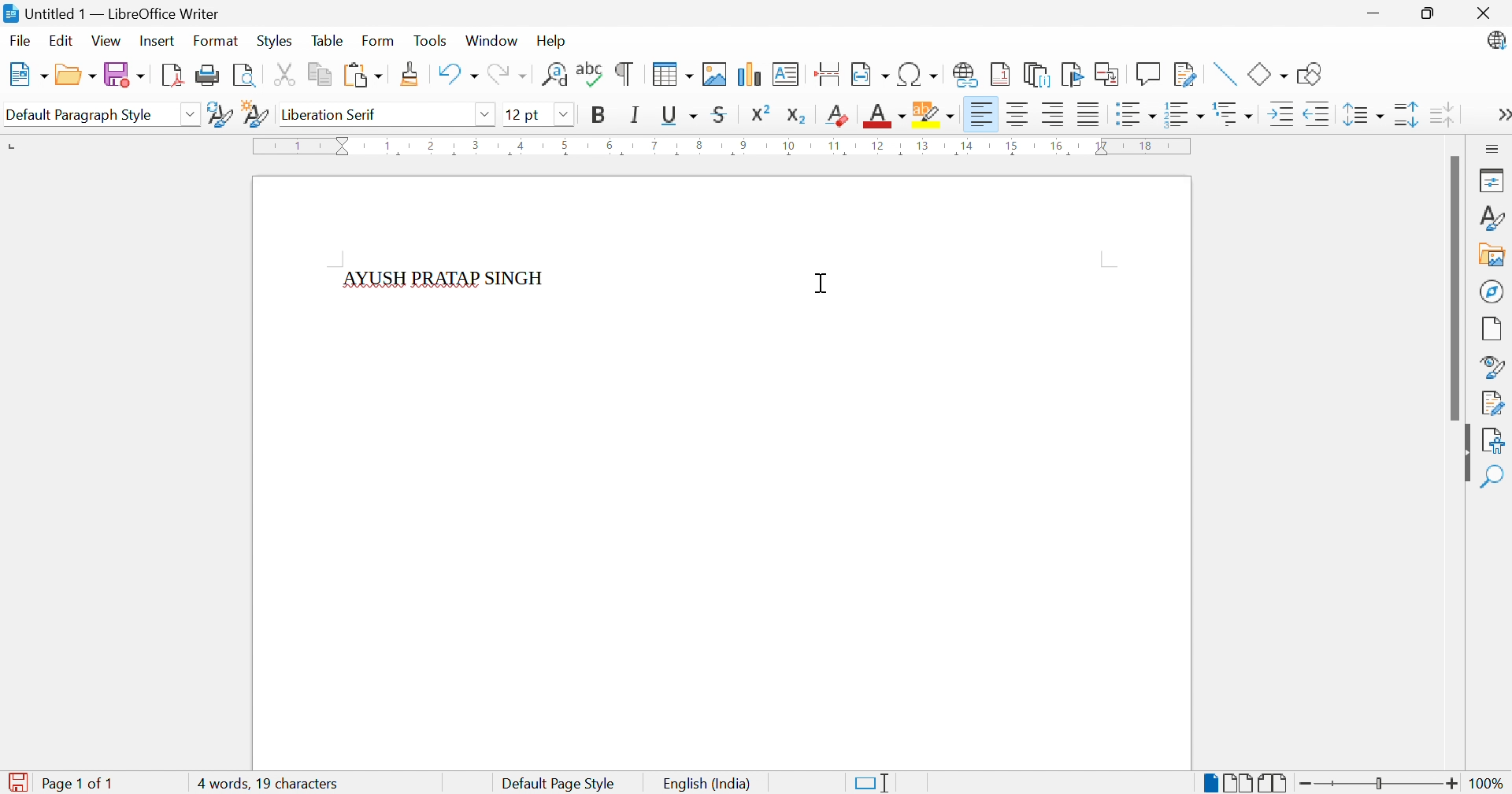 Image resolution: width=1512 pixels, height=794 pixels. What do you see at coordinates (636, 117) in the screenshot?
I see `Italic` at bounding box center [636, 117].